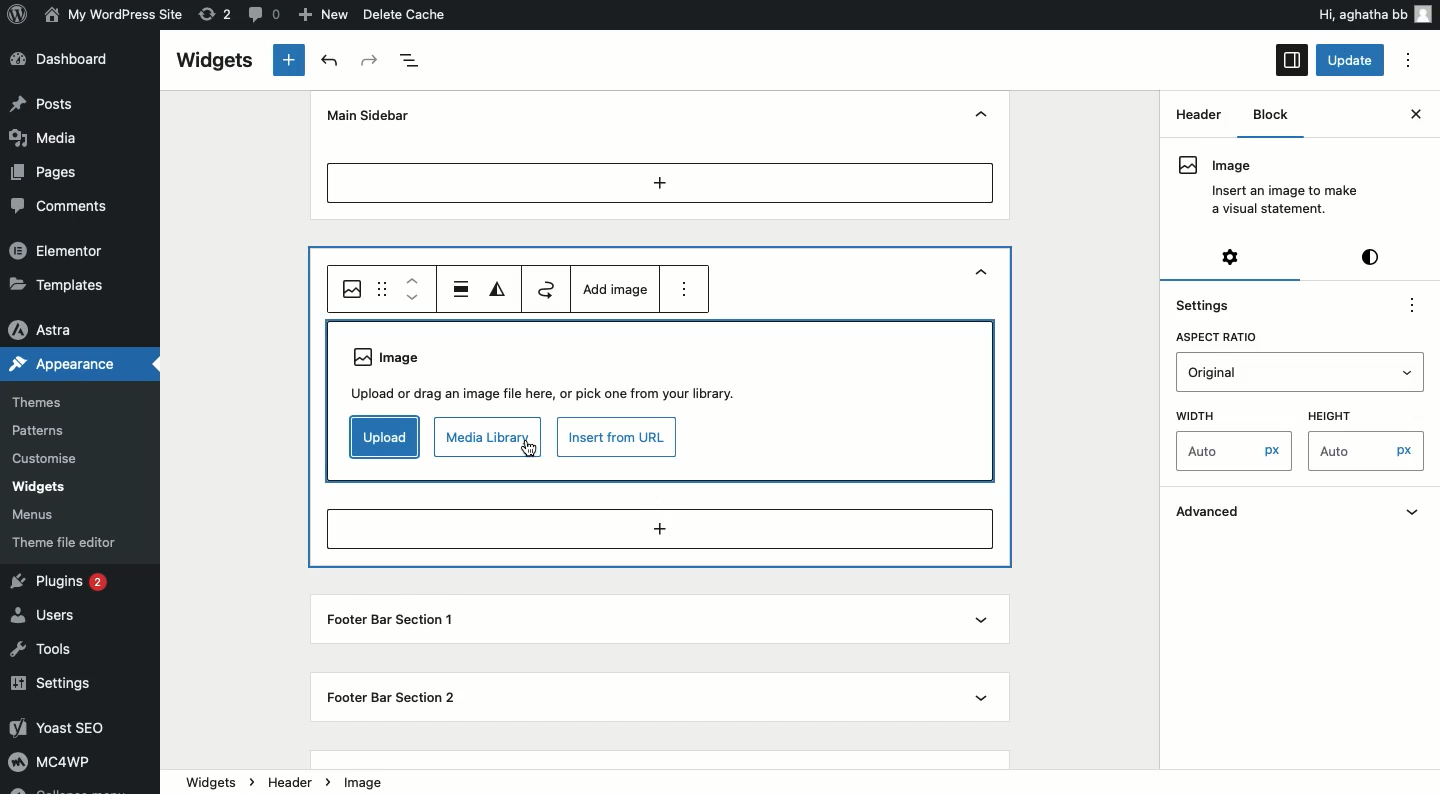 The height and width of the screenshot is (794, 1440). What do you see at coordinates (533, 453) in the screenshot?
I see `Cursor` at bounding box center [533, 453].